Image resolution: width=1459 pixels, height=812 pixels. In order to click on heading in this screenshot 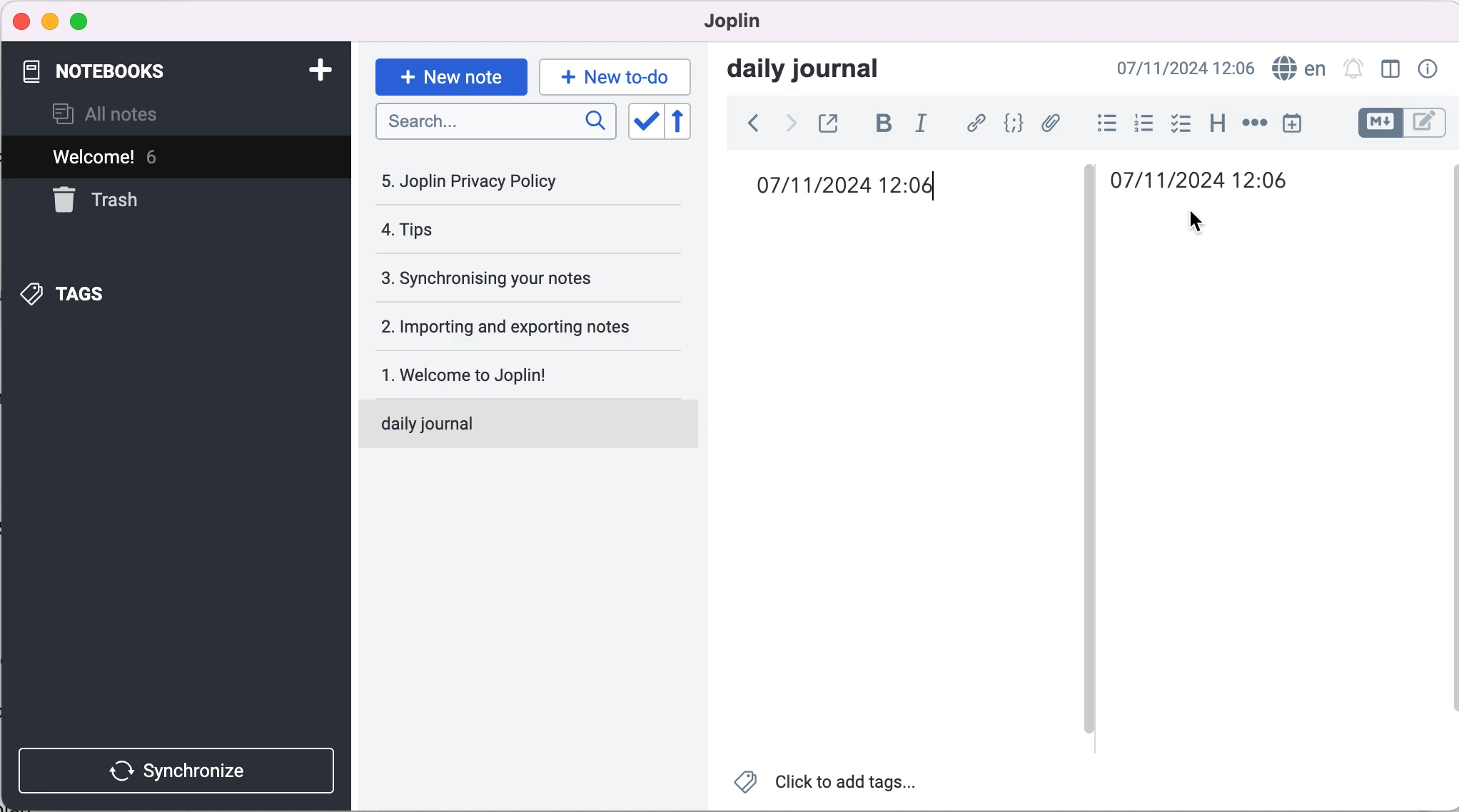, I will do `click(1216, 123)`.